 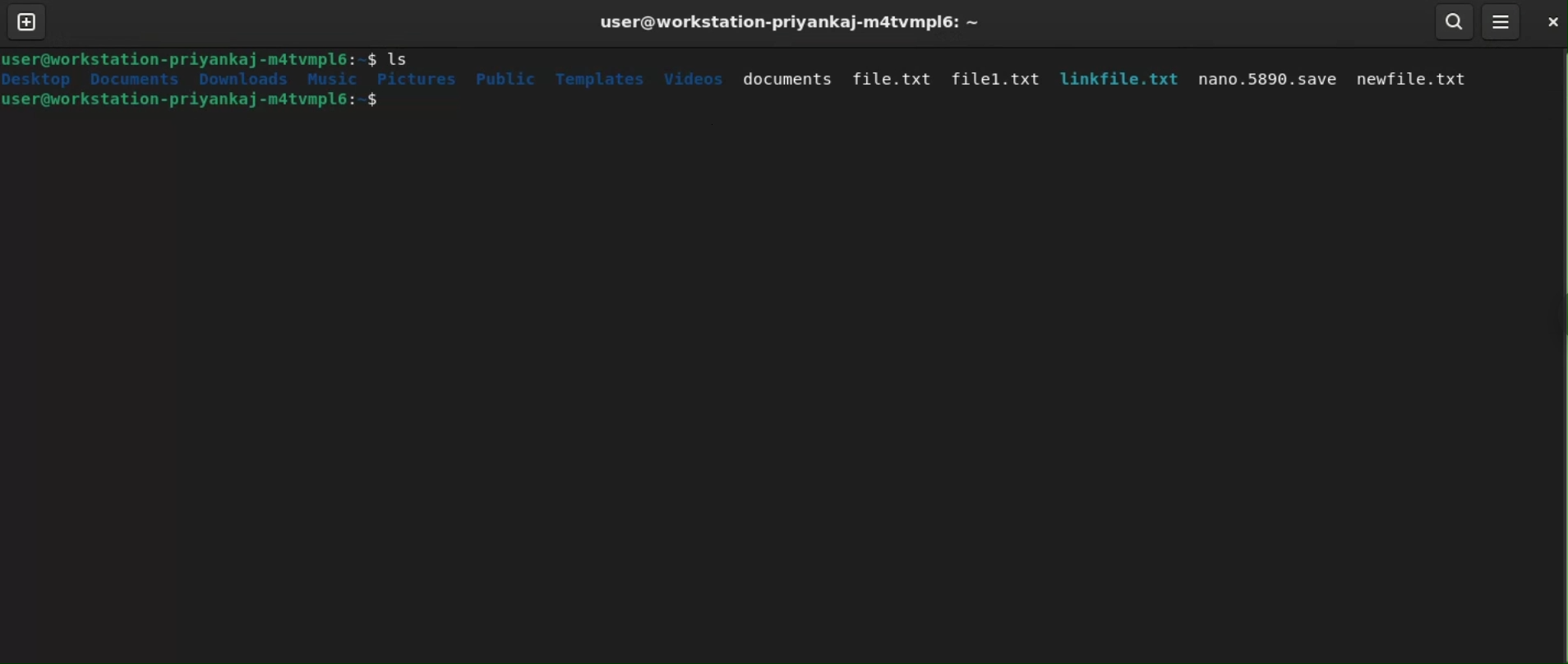 What do you see at coordinates (1416, 83) in the screenshot?
I see `newfile.txt` at bounding box center [1416, 83].